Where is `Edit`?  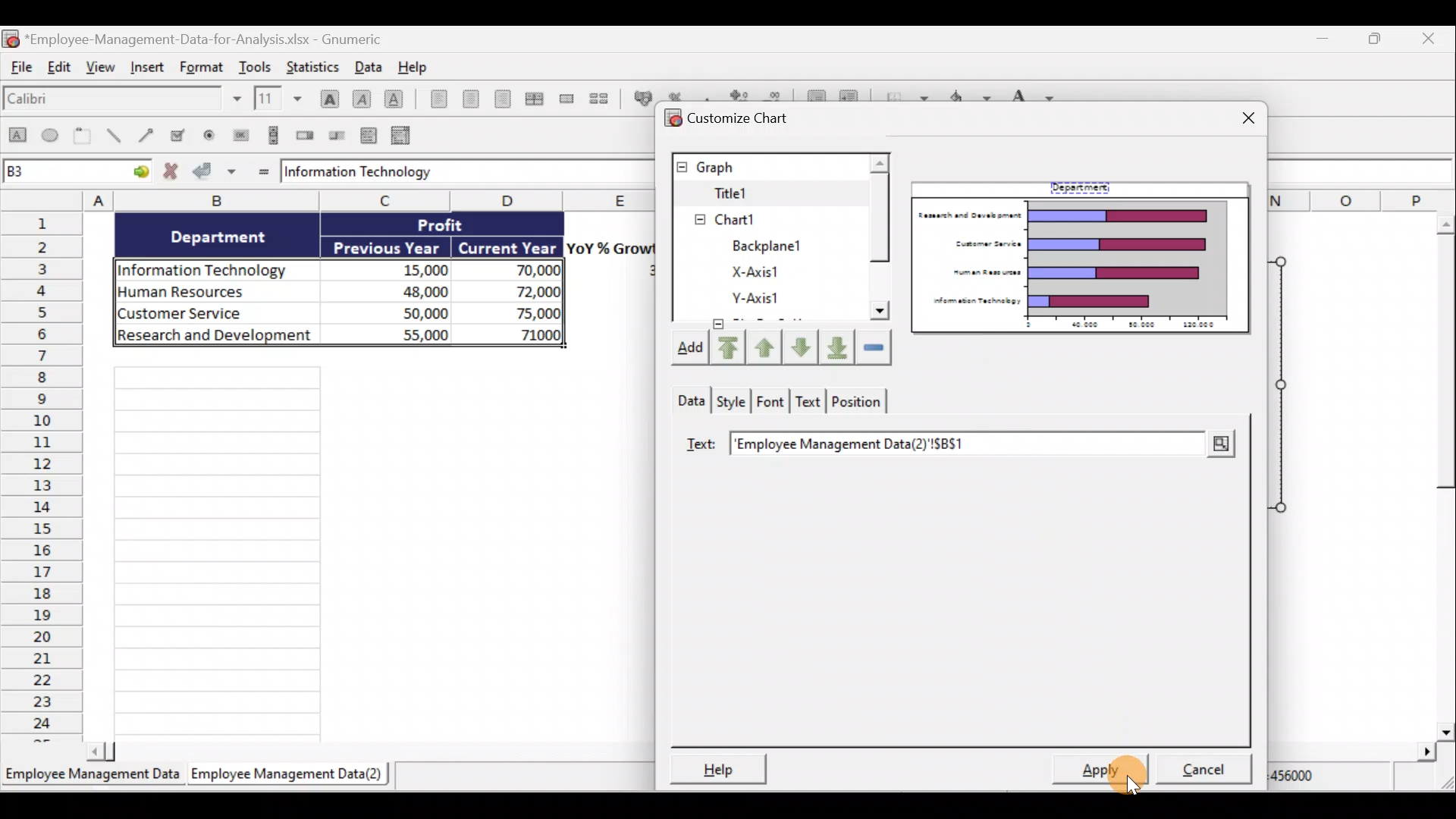 Edit is located at coordinates (60, 67).